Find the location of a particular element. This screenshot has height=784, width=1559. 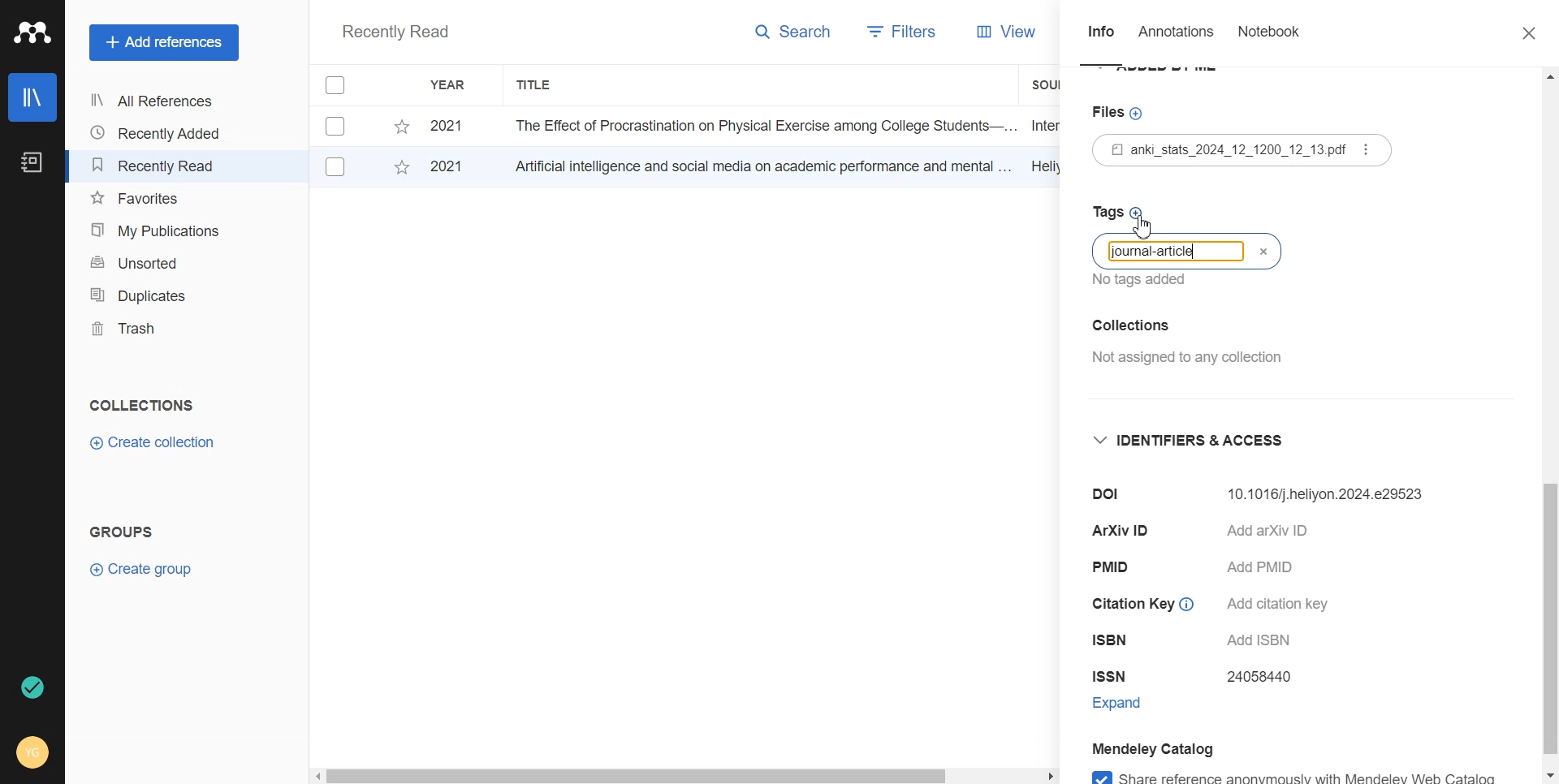

Annotations is located at coordinates (1178, 36).